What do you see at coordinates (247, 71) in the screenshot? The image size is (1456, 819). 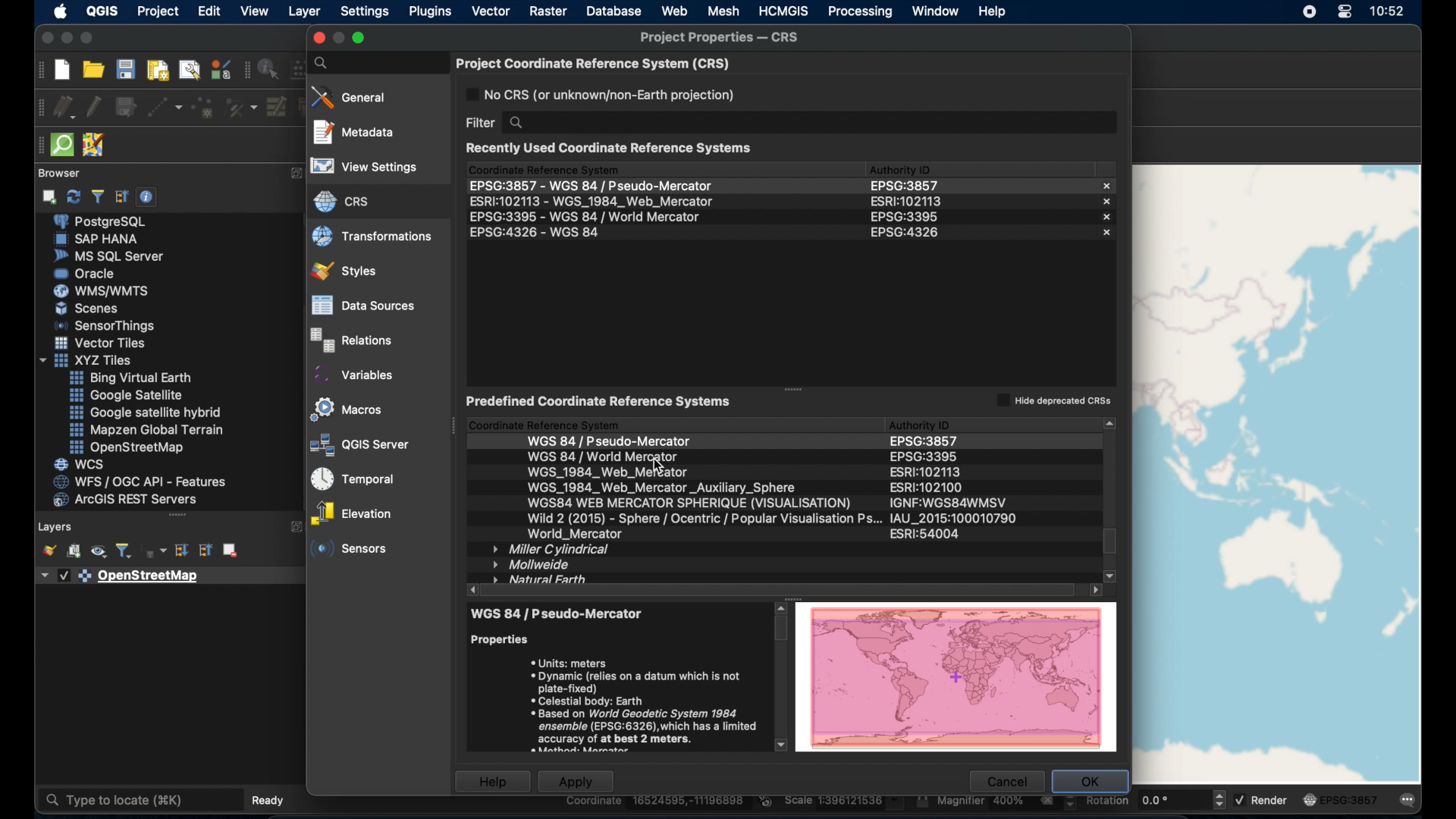 I see `attributes toolbar` at bounding box center [247, 71].